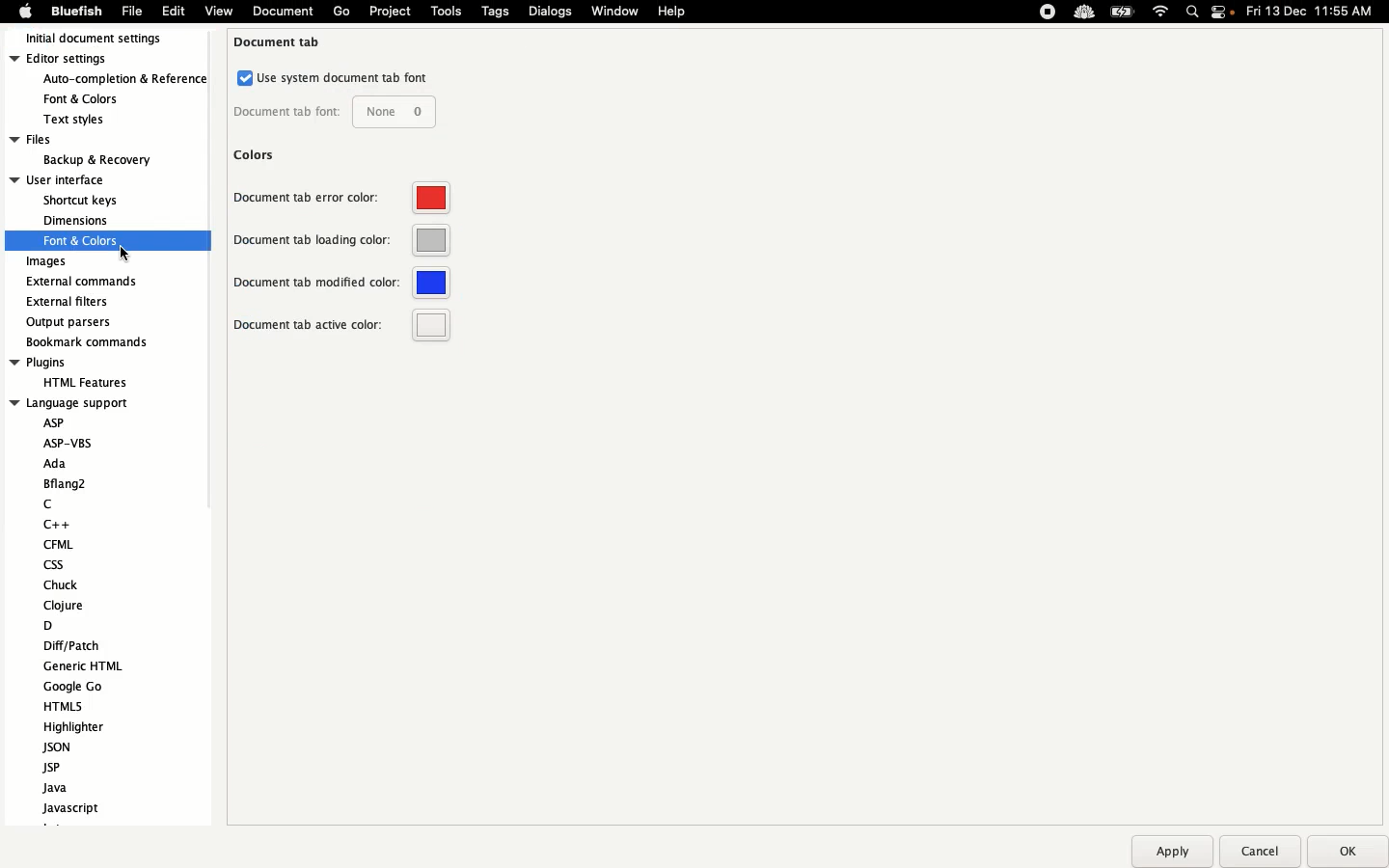 The width and height of the screenshot is (1389, 868). What do you see at coordinates (71, 402) in the screenshot?
I see `language support` at bounding box center [71, 402].